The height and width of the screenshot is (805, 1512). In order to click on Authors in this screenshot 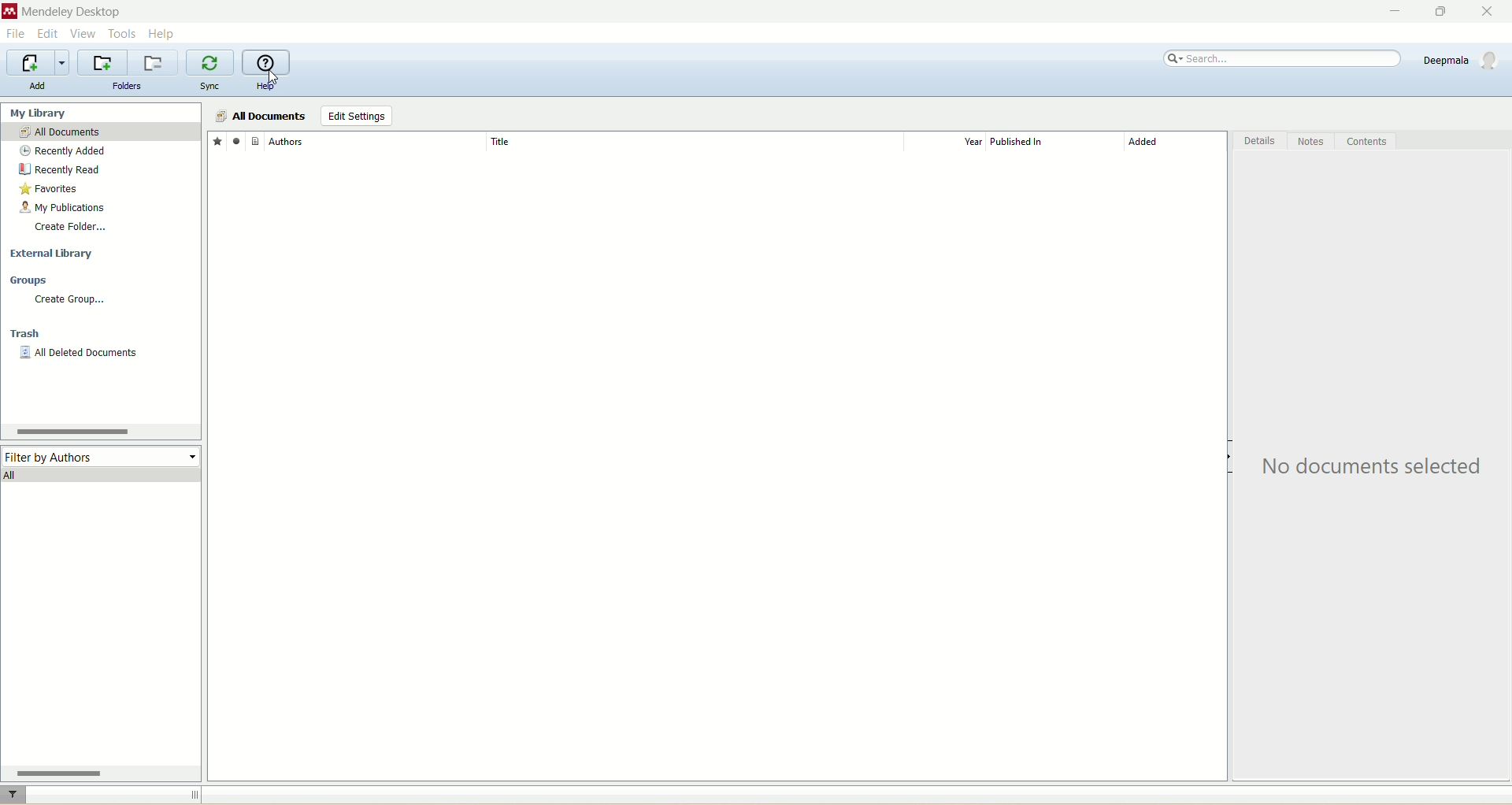, I will do `click(374, 140)`.